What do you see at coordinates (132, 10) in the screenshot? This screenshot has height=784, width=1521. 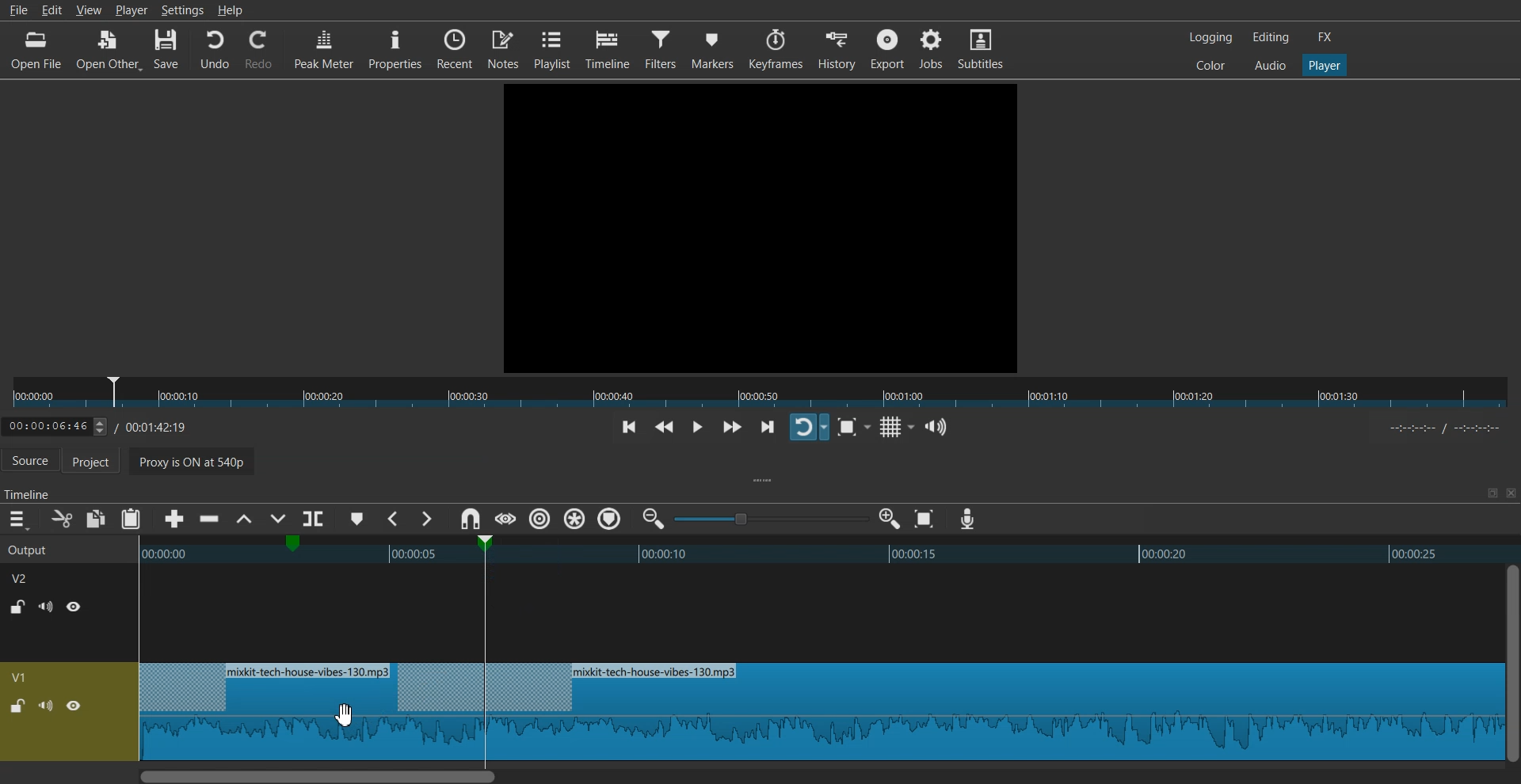 I see `Player` at bounding box center [132, 10].